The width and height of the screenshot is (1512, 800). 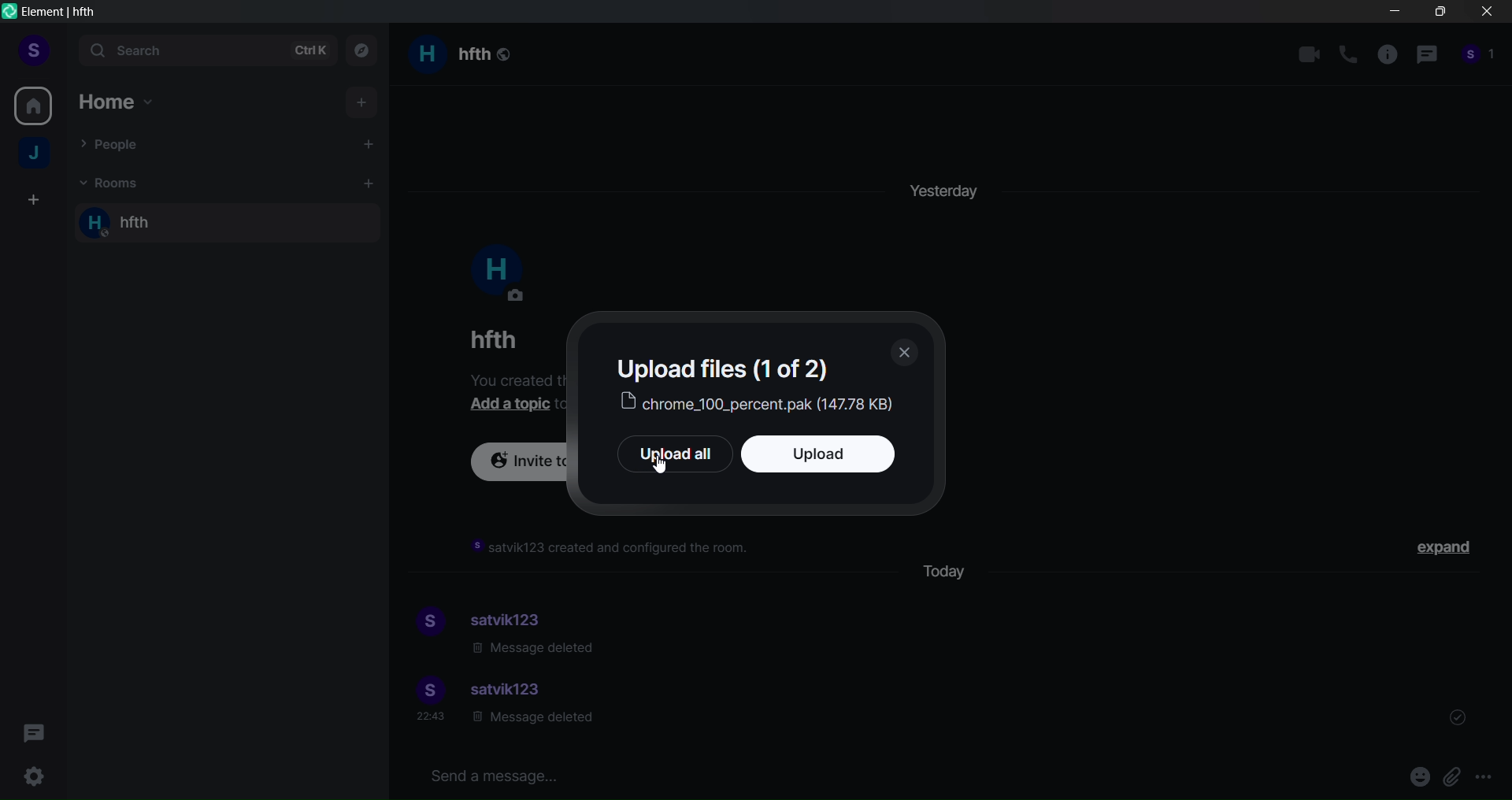 I want to click on emoji, so click(x=1410, y=777).